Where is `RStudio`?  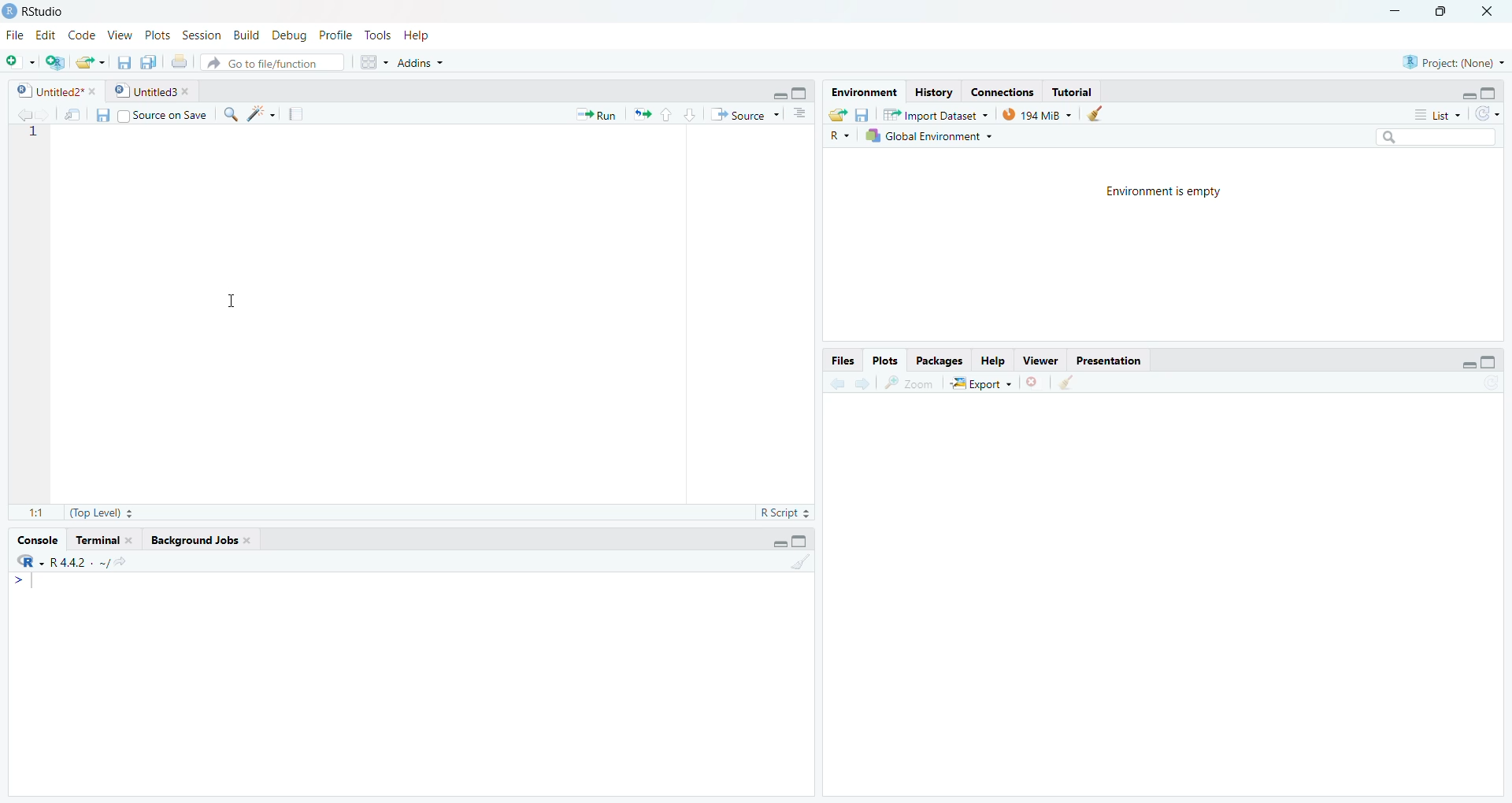
RStudio is located at coordinates (45, 11).